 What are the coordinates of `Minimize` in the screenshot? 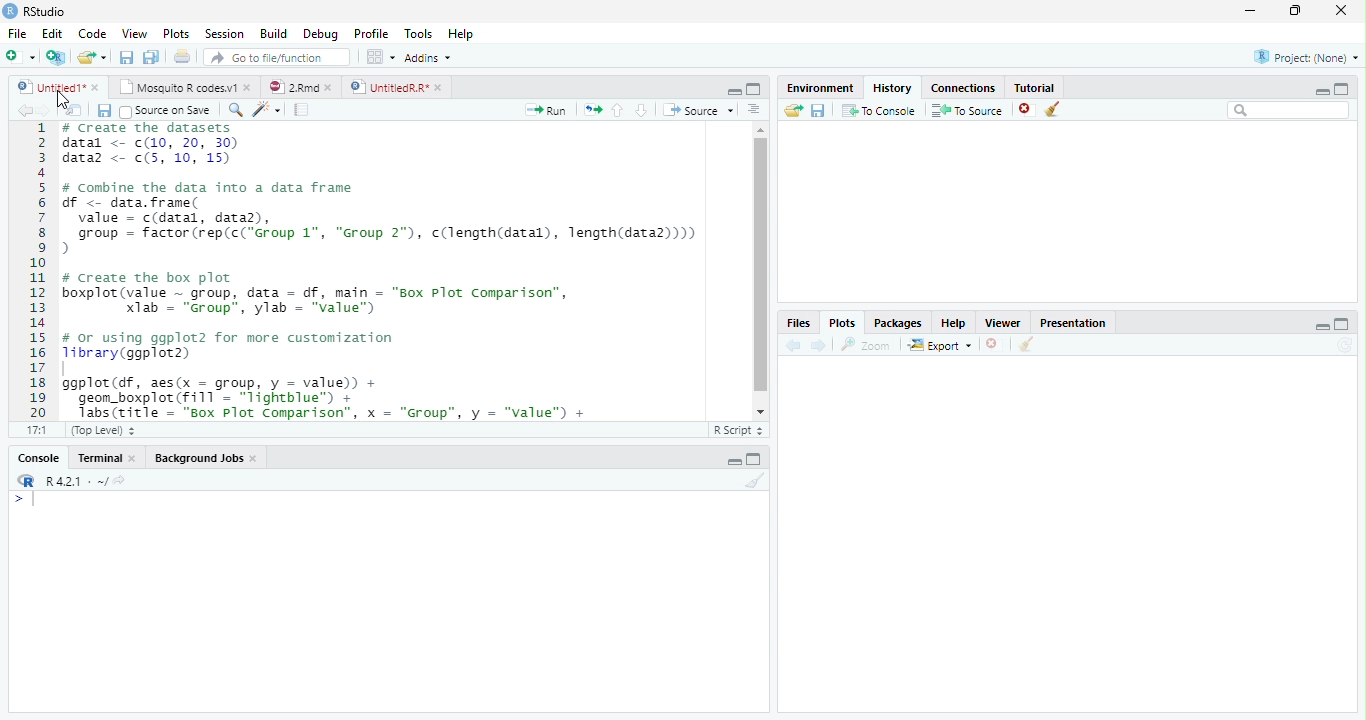 It's located at (1321, 326).